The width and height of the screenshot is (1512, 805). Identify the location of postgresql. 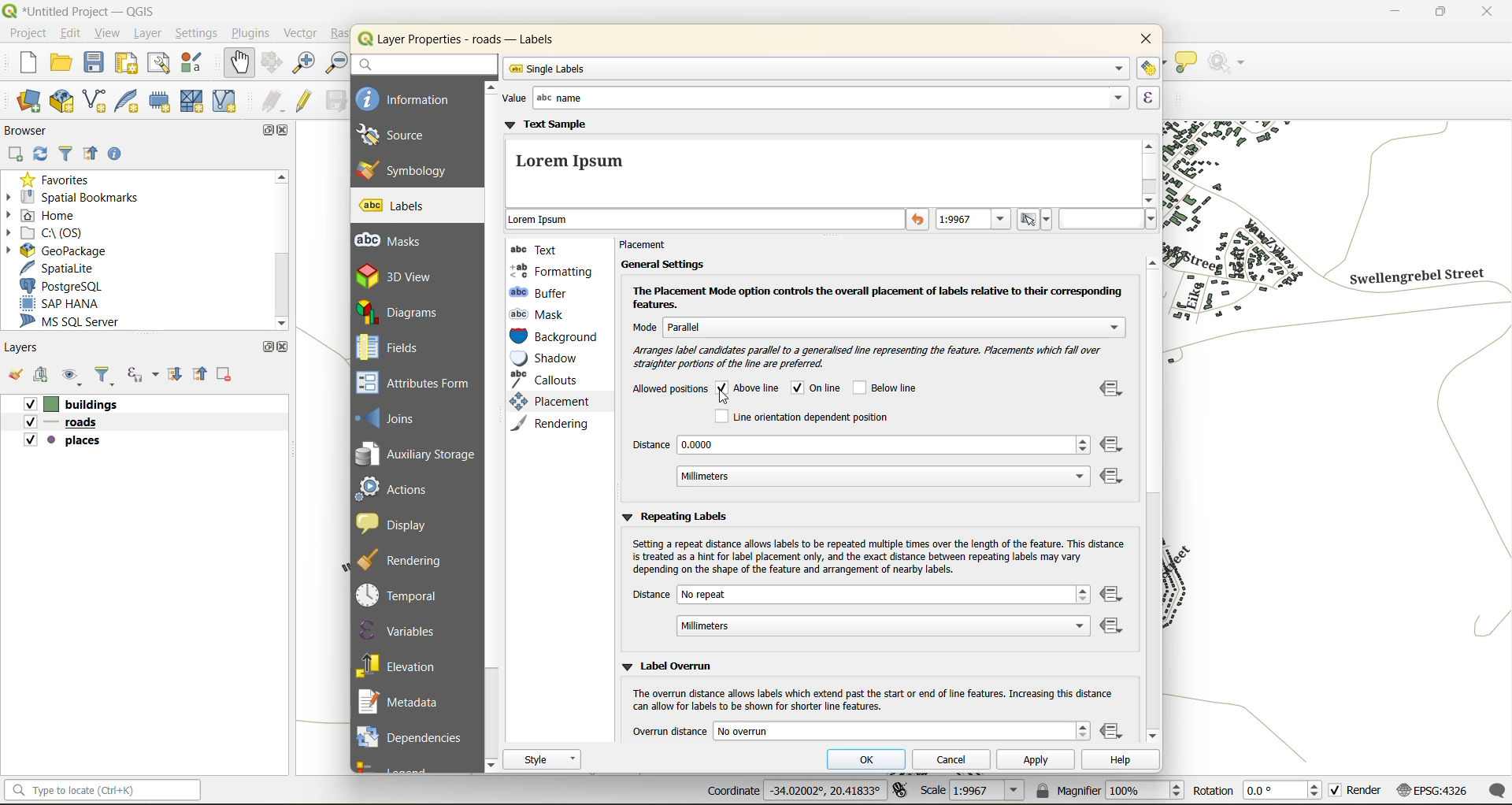
(69, 284).